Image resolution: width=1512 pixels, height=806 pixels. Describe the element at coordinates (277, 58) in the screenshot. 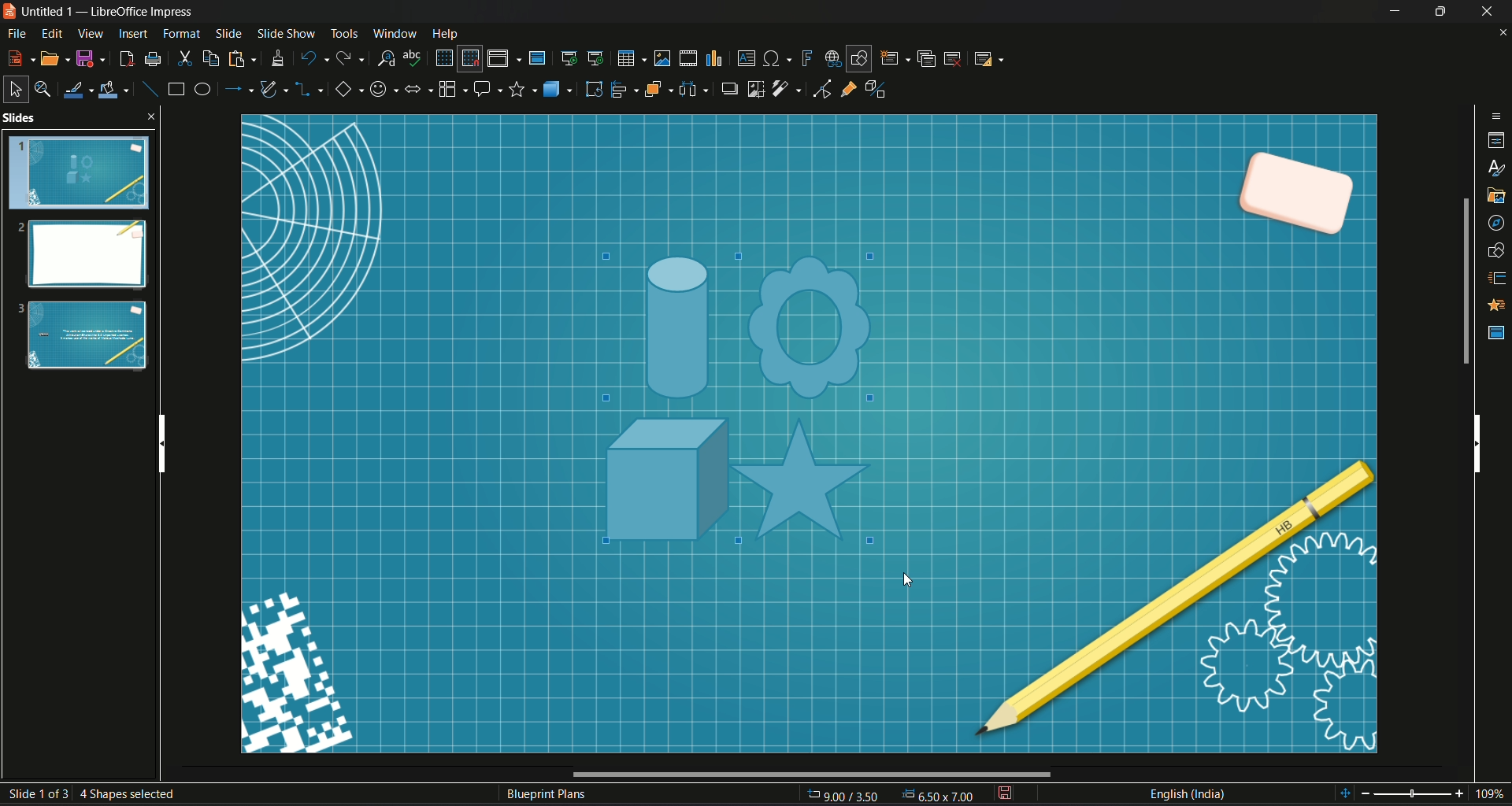

I see `clone formatting` at that location.